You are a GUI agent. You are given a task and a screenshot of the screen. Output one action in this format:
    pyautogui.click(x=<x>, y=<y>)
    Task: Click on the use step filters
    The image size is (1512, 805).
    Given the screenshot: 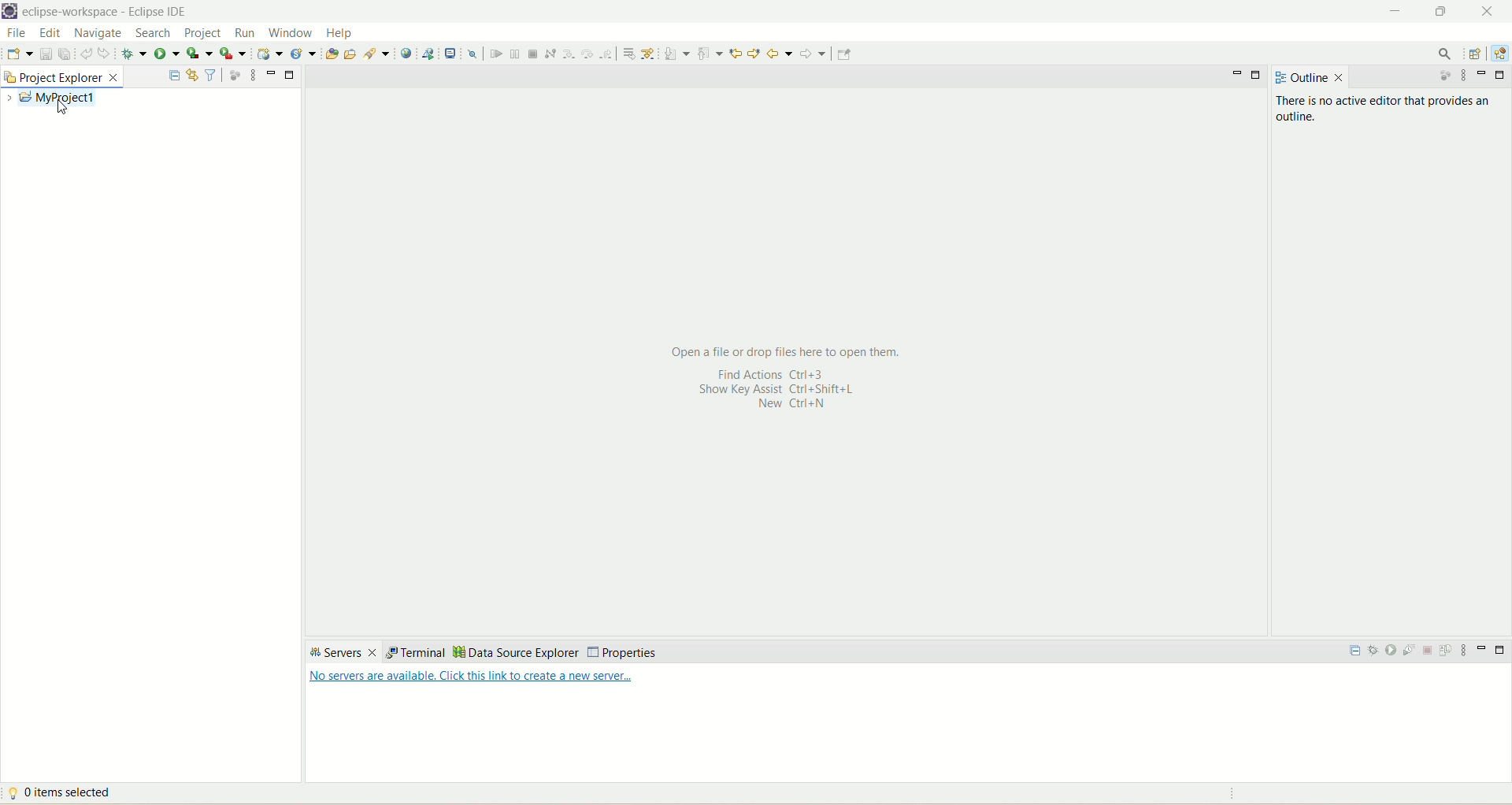 What is the action you would take?
    pyautogui.click(x=651, y=53)
    